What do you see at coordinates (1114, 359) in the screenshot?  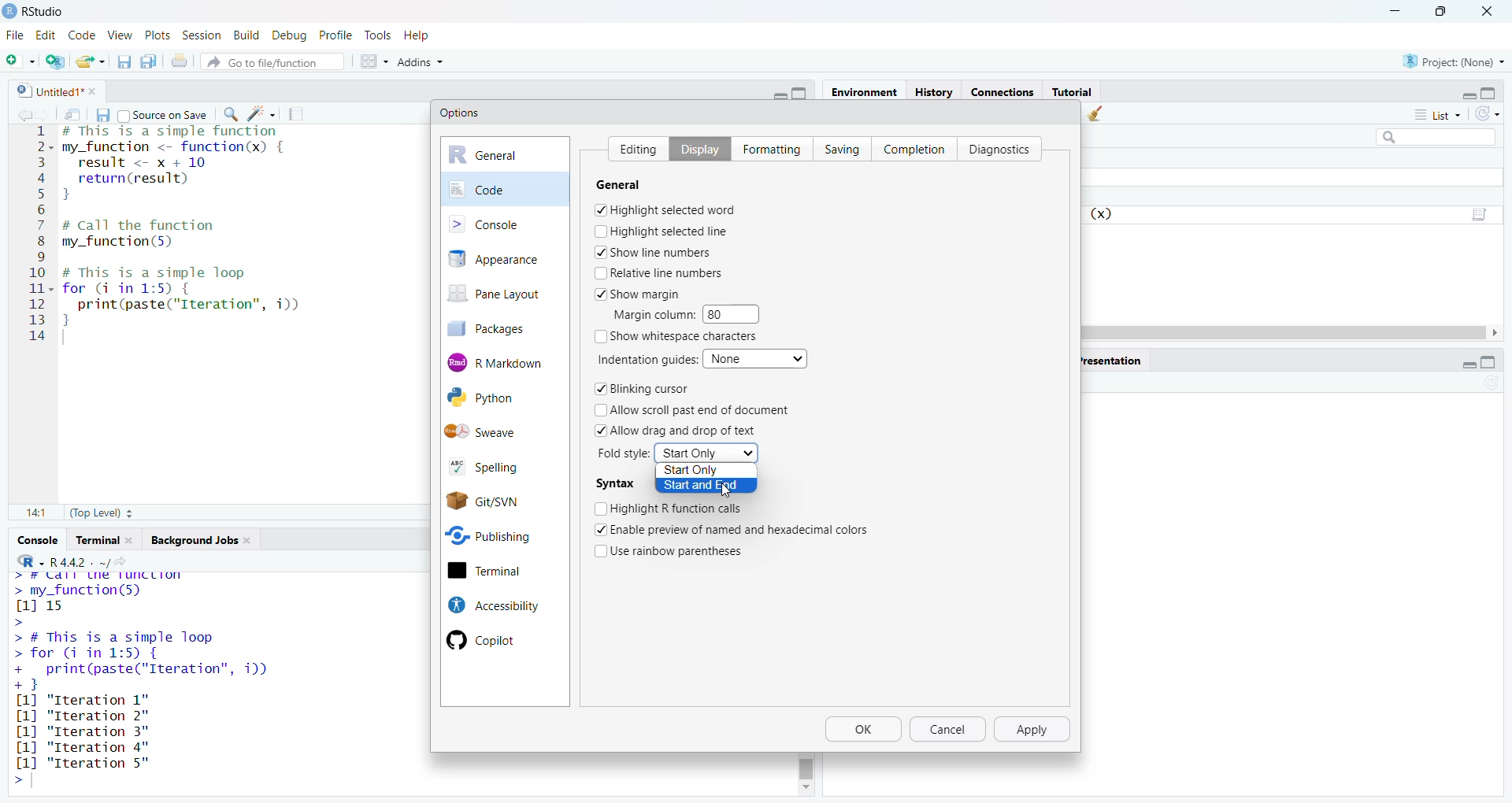 I see `presentation` at bounding box center [1114, 359].